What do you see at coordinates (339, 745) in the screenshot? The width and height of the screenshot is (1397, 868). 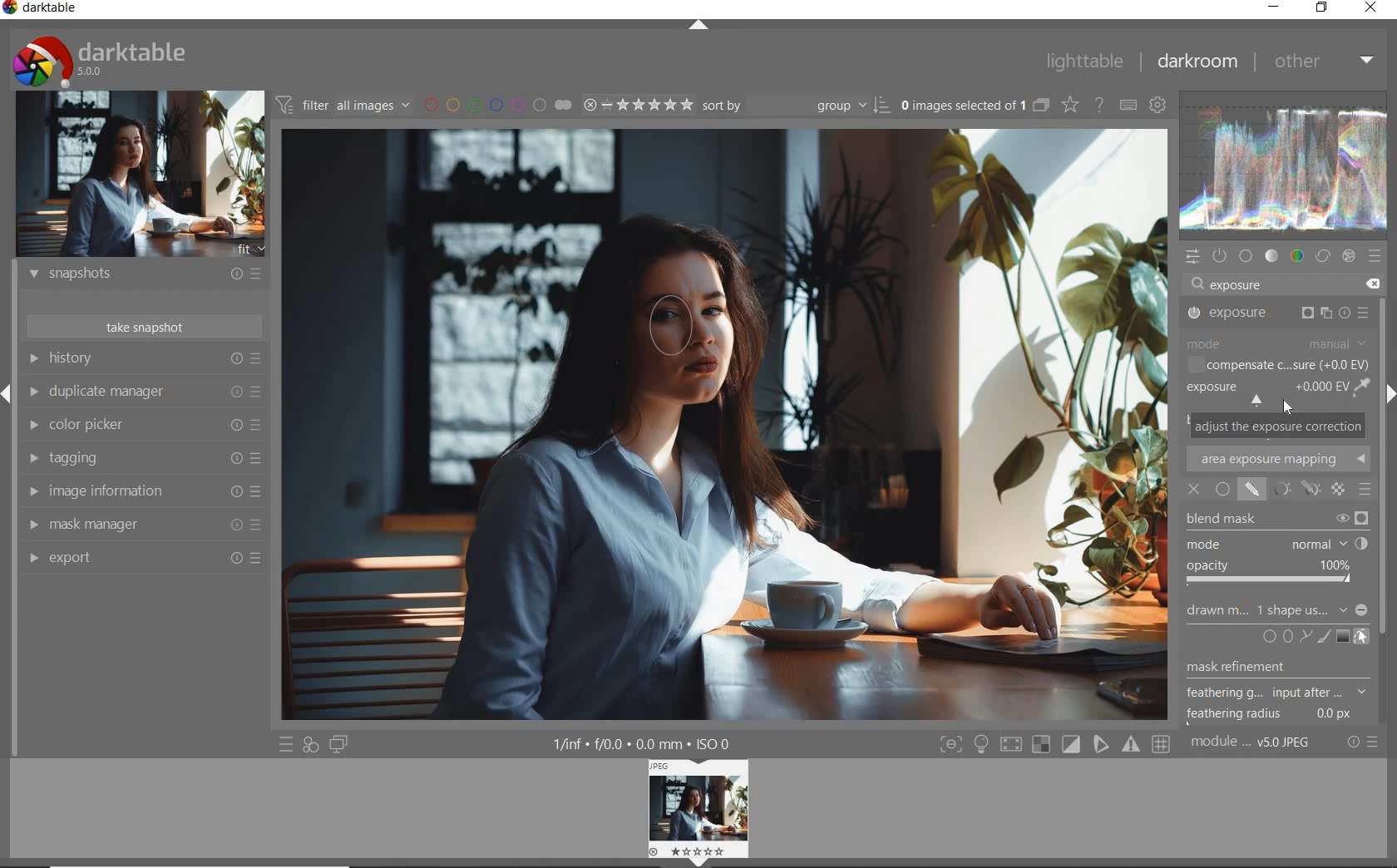 I see `display a second darkroom image below` at bounding box center [339, 745].